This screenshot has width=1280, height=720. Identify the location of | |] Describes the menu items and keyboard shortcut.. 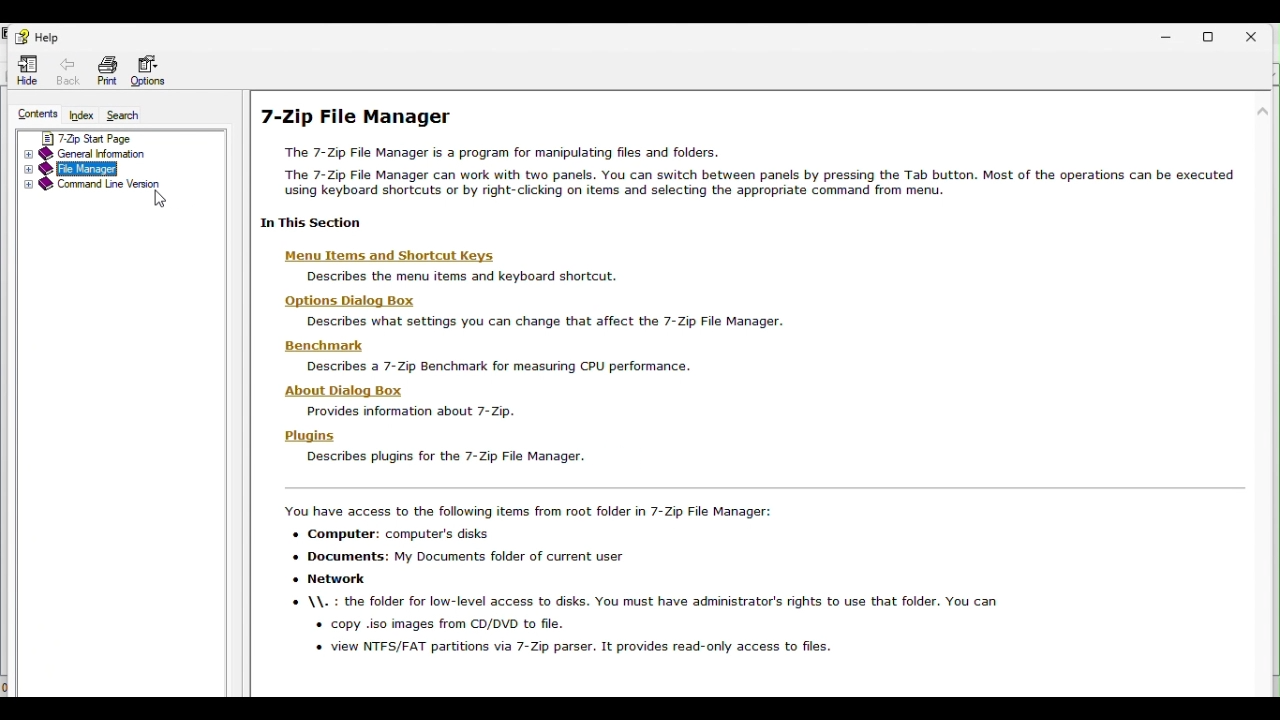
(471, 278).